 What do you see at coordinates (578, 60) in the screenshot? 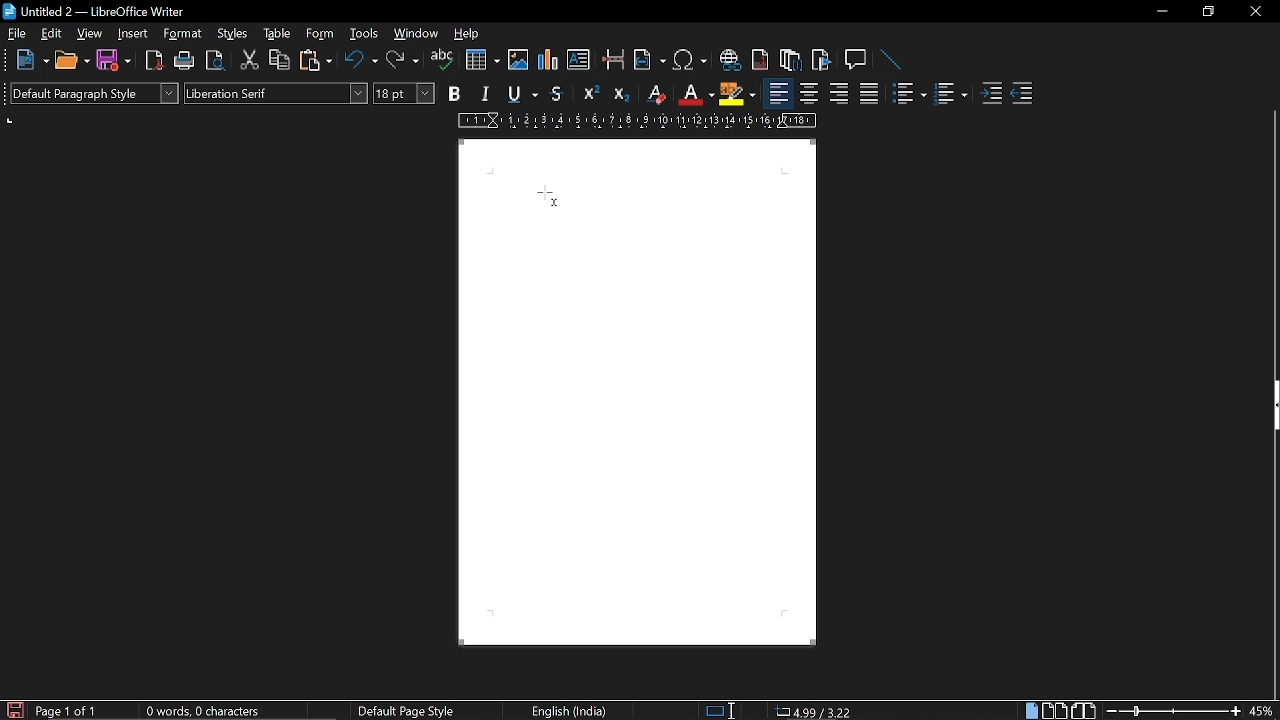
I see `insert text` at bounding box center [578, 60].